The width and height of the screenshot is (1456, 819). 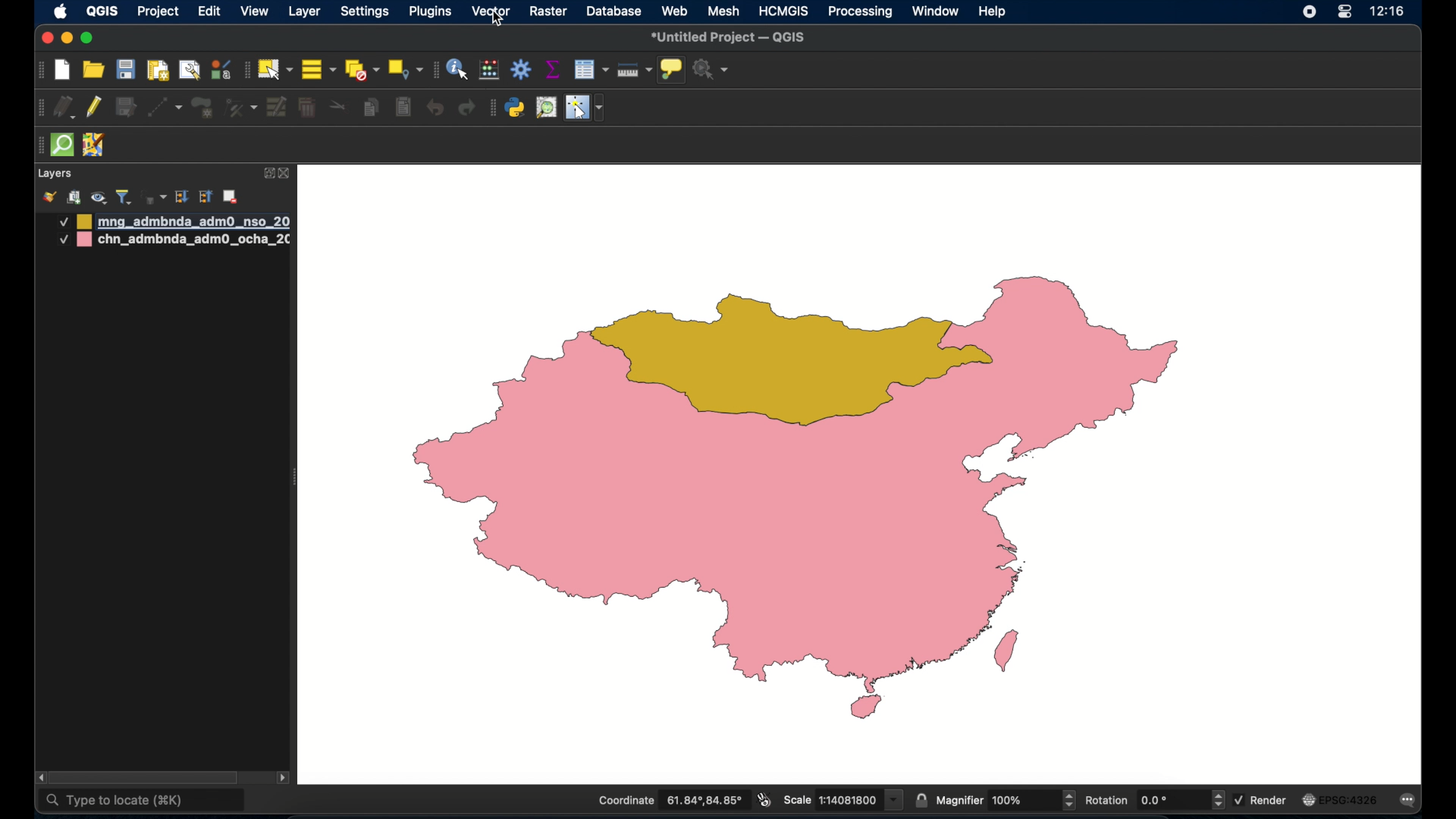 I want to click on paste features, so click(x=402, y=106).